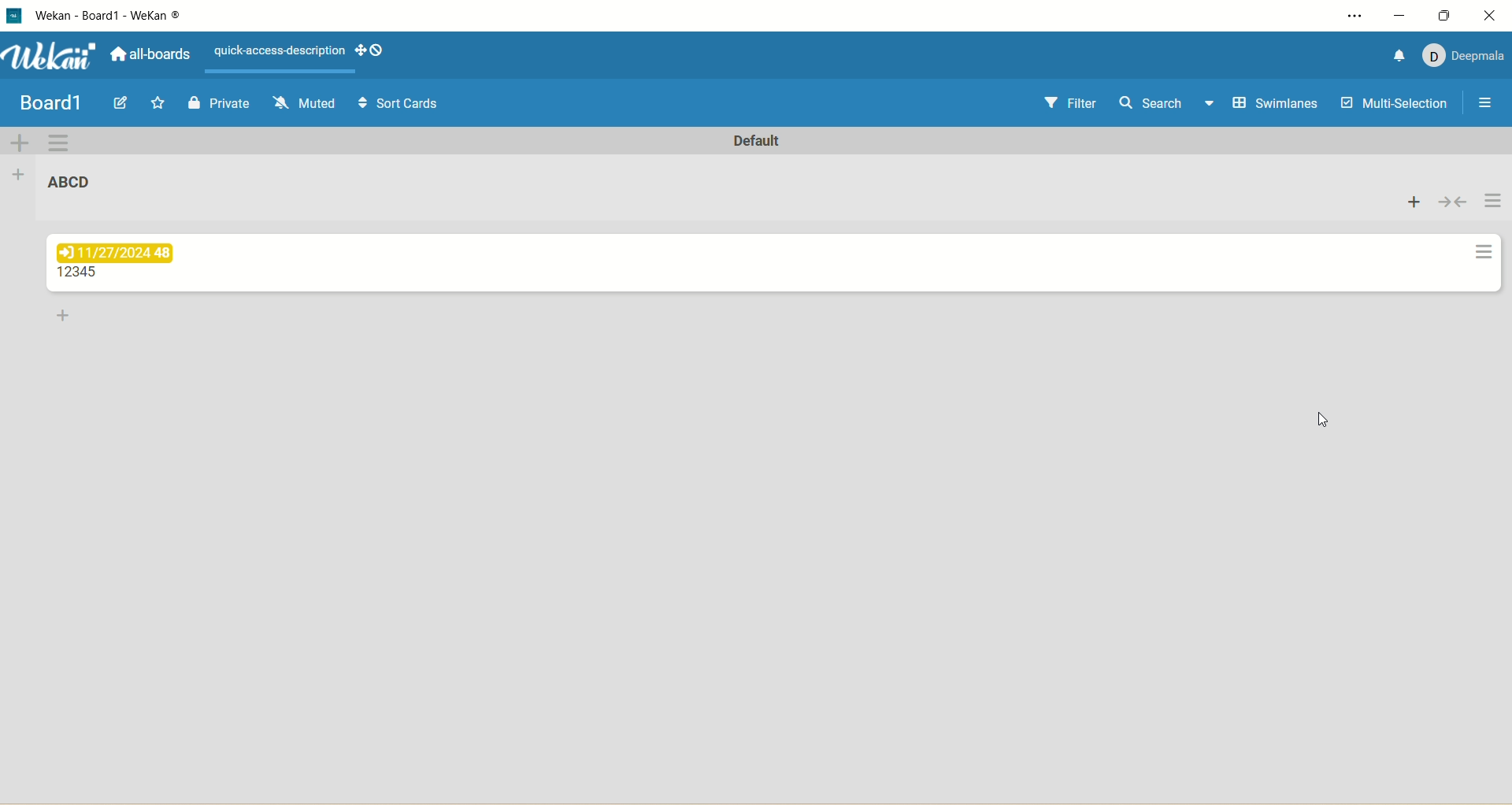  I want to click on search, so click(1168, 105).